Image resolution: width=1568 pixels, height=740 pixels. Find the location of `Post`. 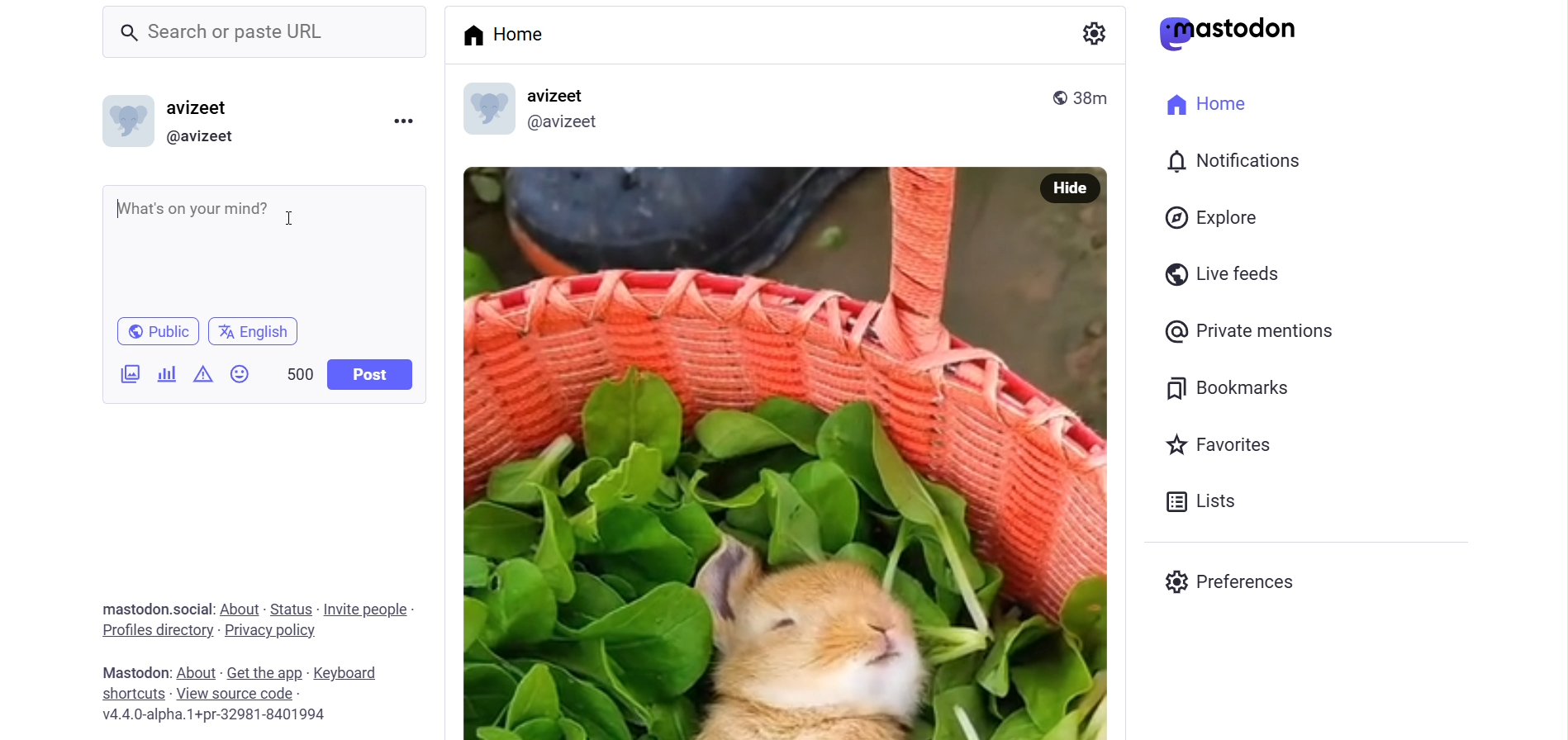

Post is located at coordinates (369, 374).